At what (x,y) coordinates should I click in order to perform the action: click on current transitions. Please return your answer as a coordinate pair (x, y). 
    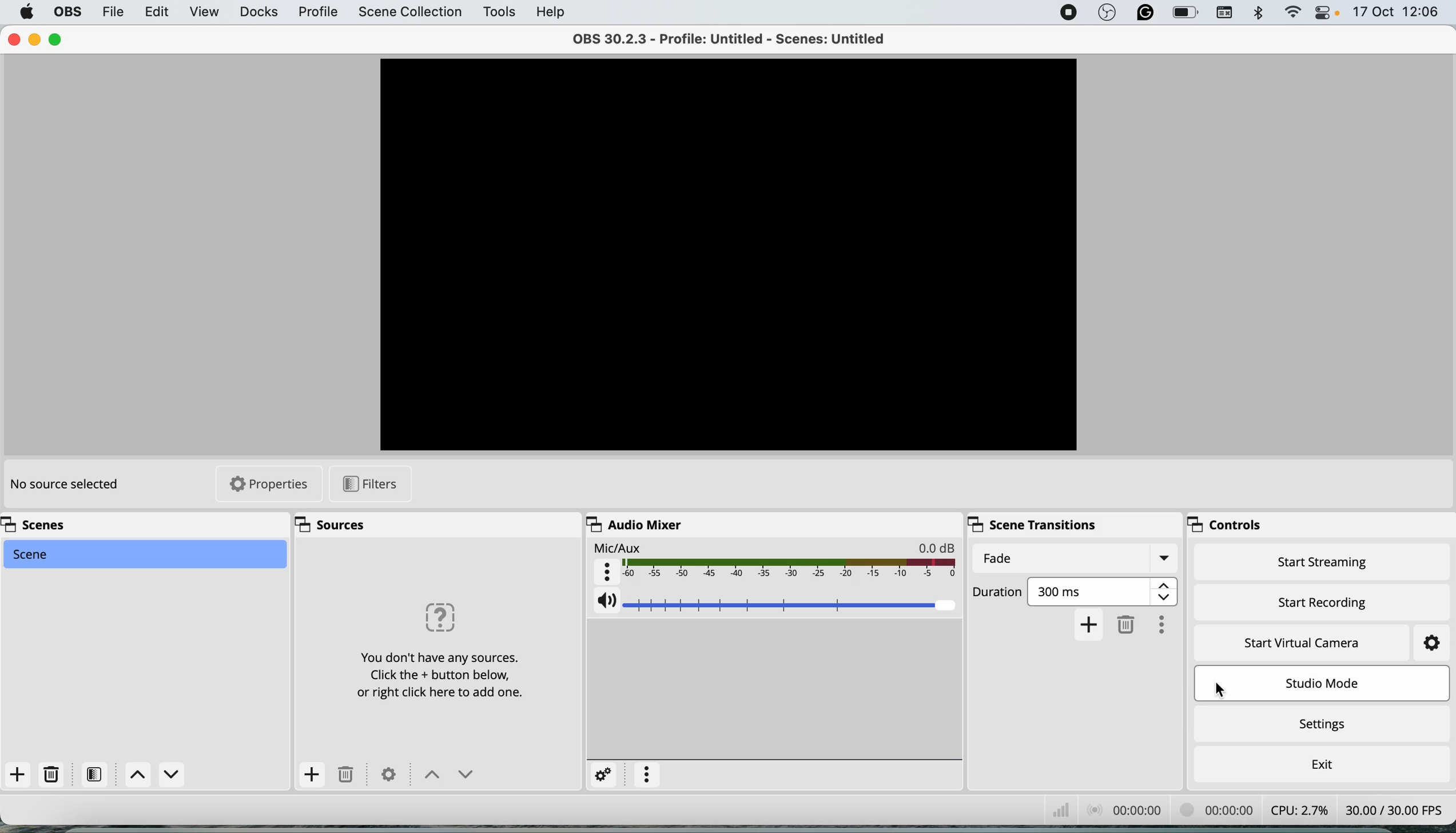
    Looking at the image, I should click on (1073, 559).